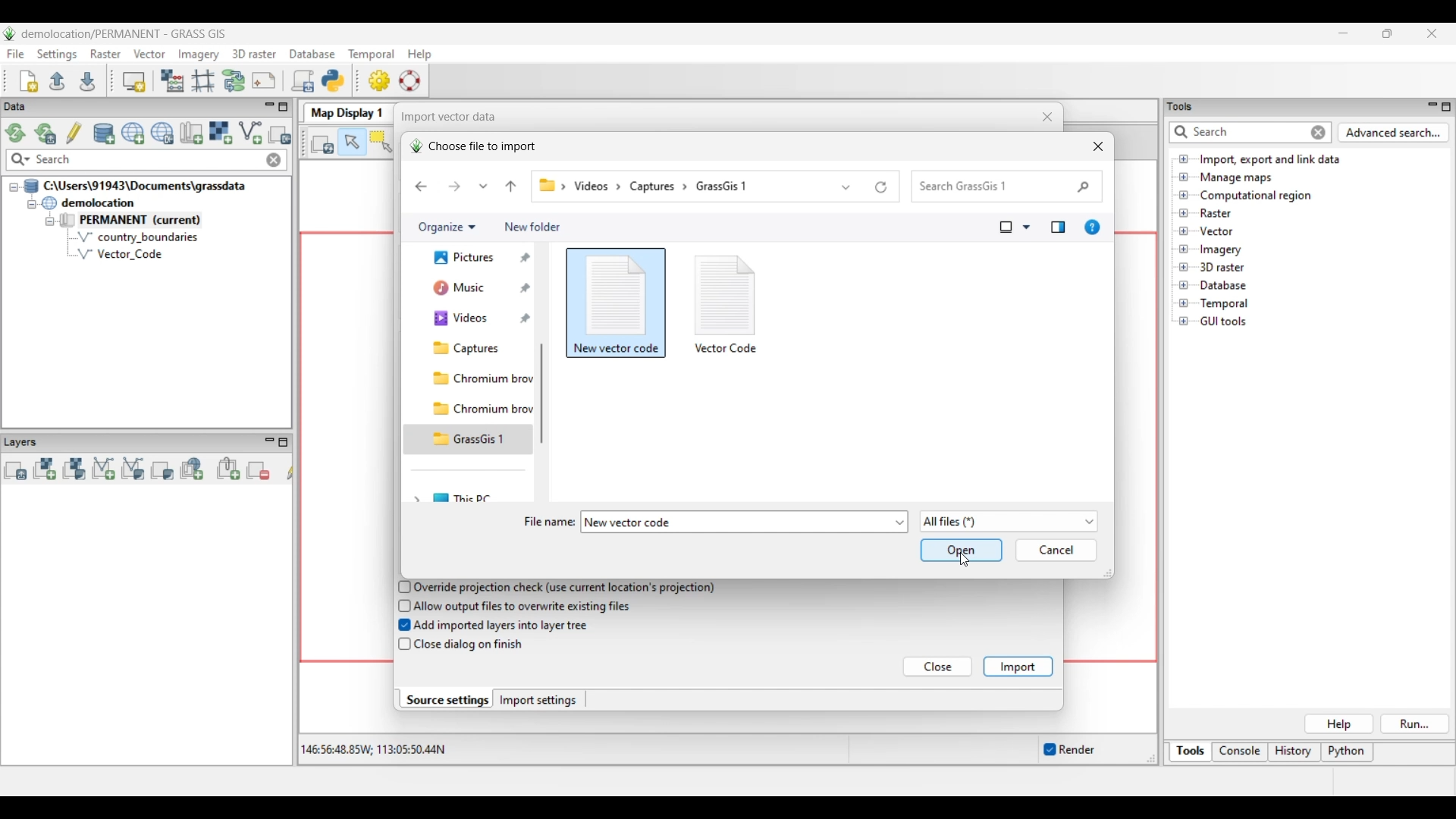 The width and height of the screenshot is (1456, 819). What do you see at coordinates (228, 469) in the screenshot?
I see `Add group` at bounding box center [228, 469].